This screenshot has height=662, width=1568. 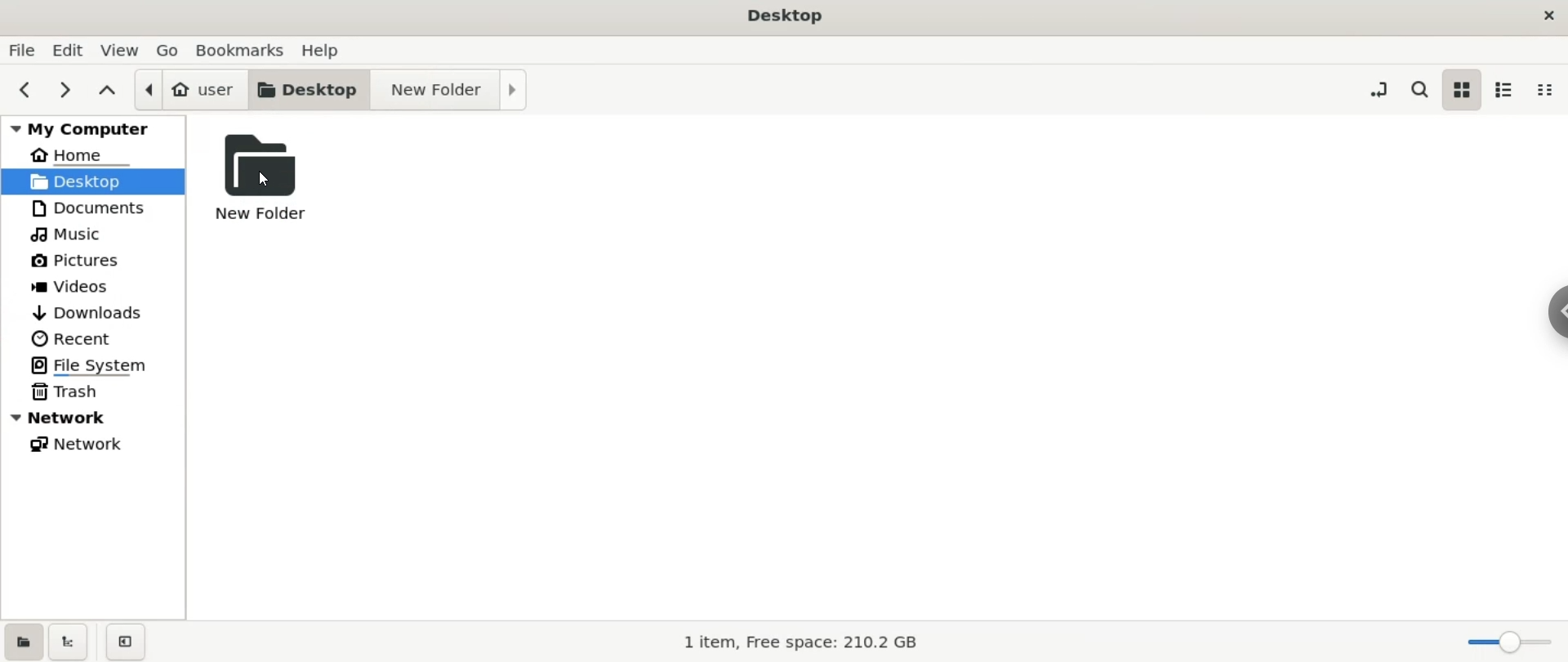 What do you see at coordinates (782, 16) in the screenshot?
I see `desktop` at bounding box center [782, 16].